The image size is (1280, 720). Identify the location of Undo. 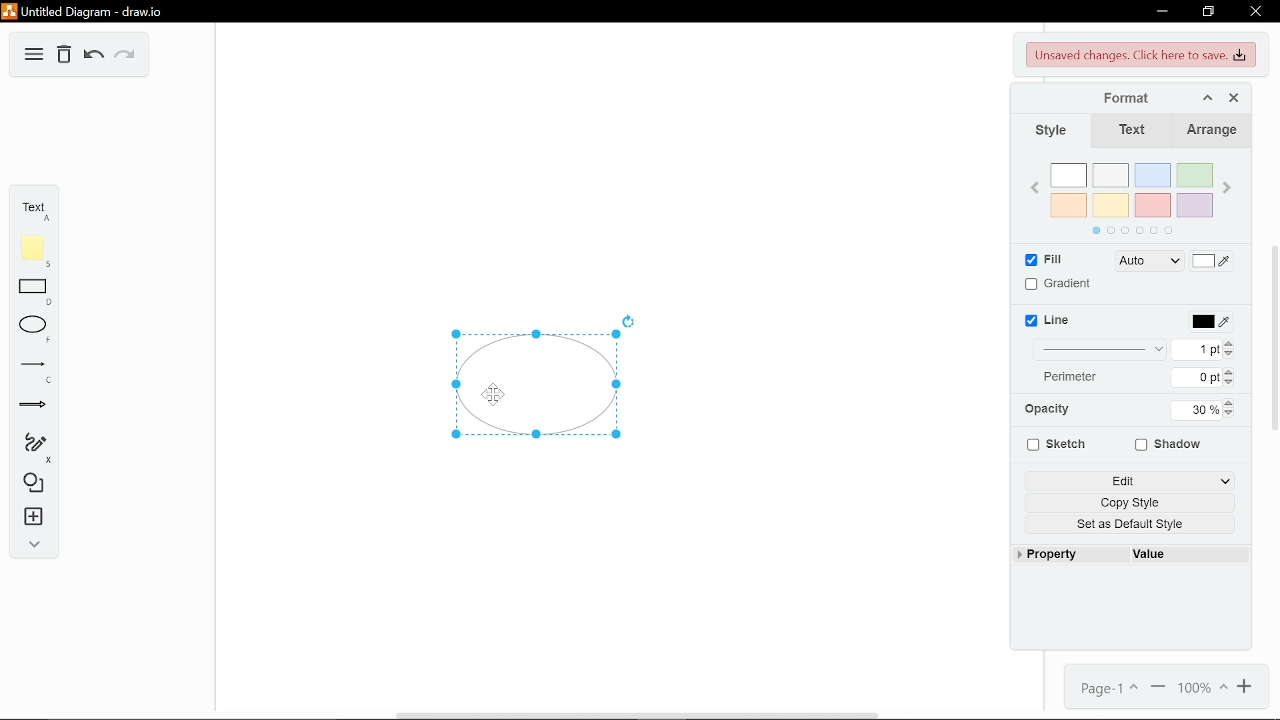
(94, 56).